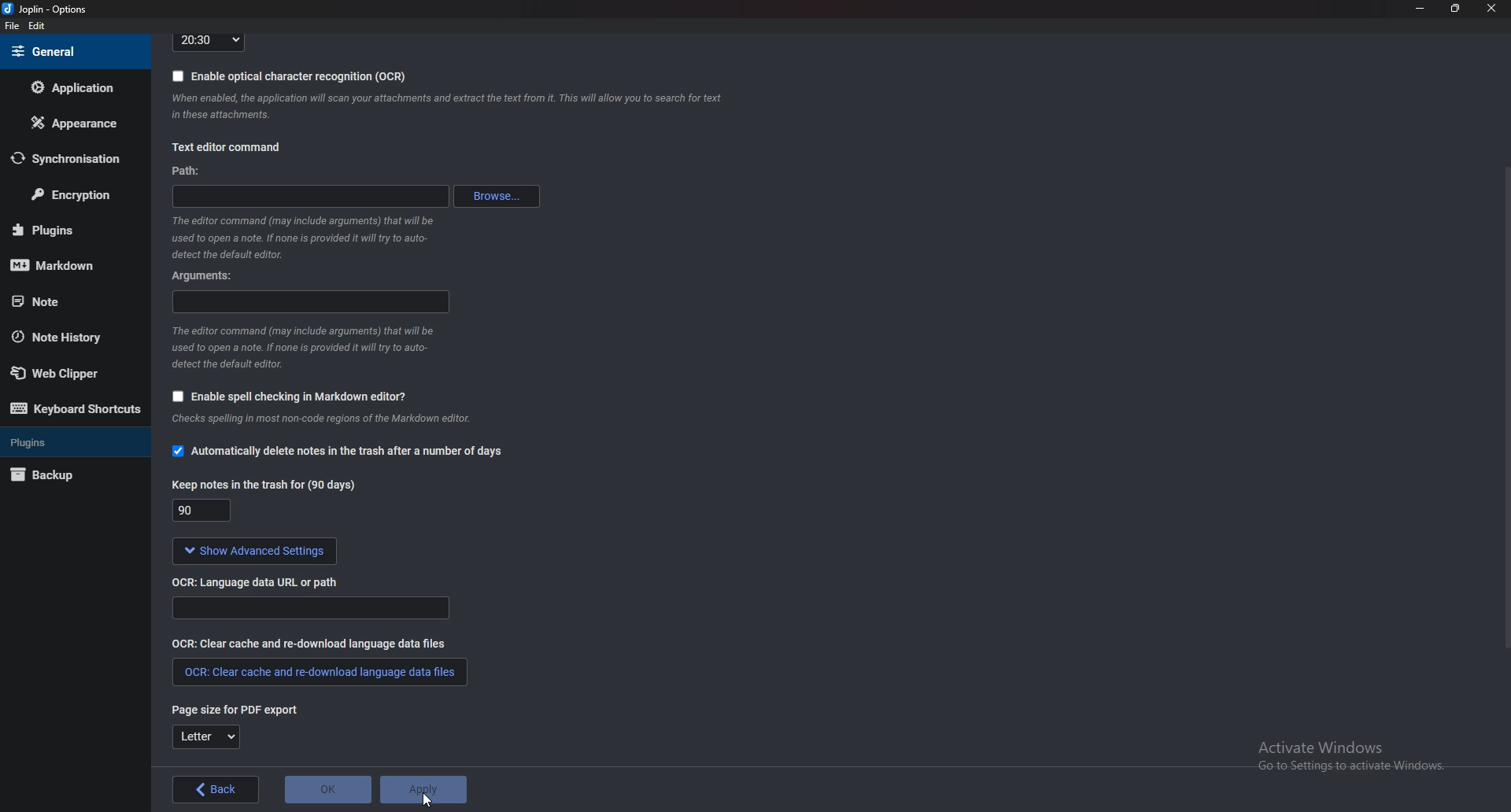  I want to click on info on ocr, so click(448, 106).